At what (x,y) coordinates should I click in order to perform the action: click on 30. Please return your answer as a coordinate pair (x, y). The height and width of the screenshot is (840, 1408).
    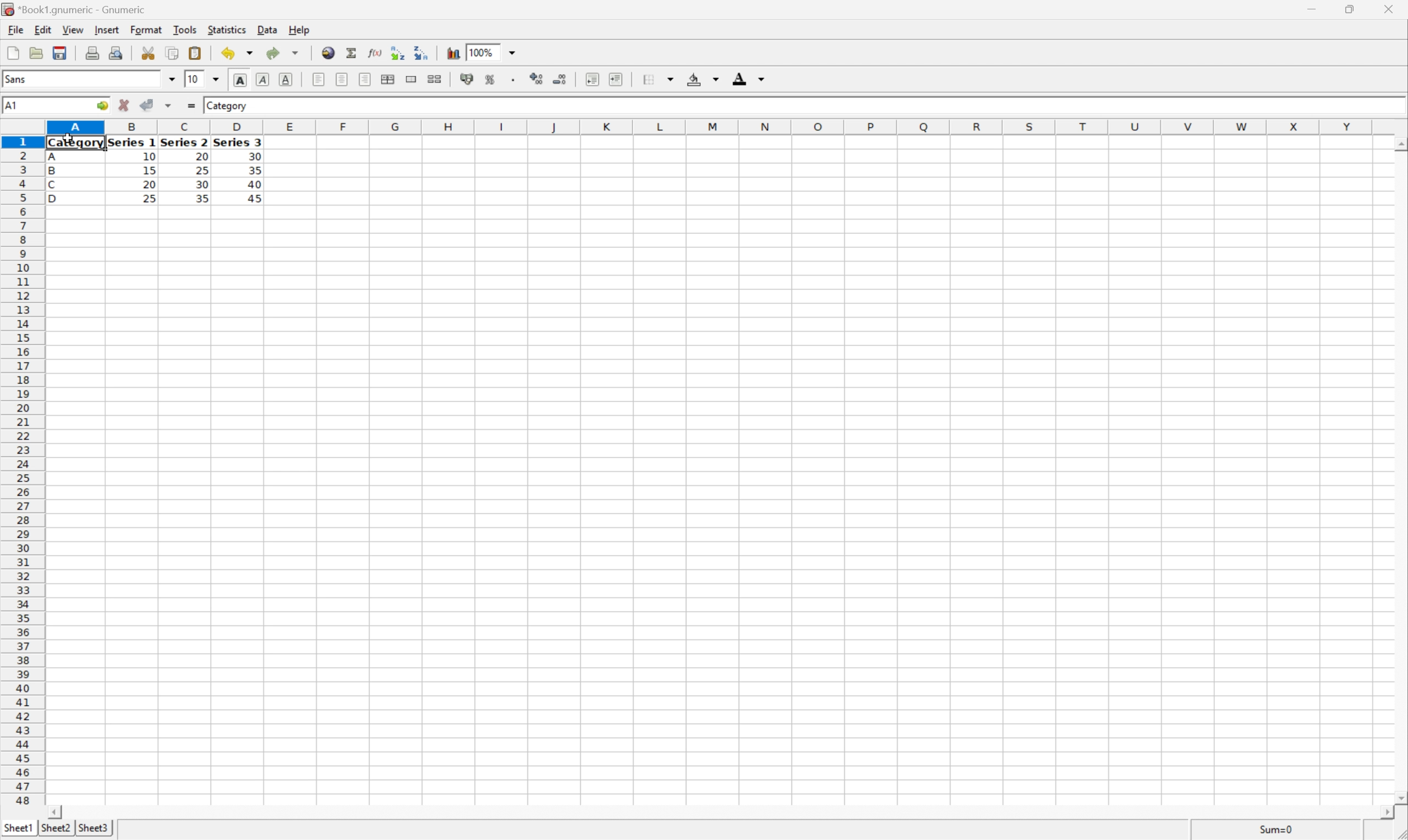
    Looking at the image, I should click on (203, 186).